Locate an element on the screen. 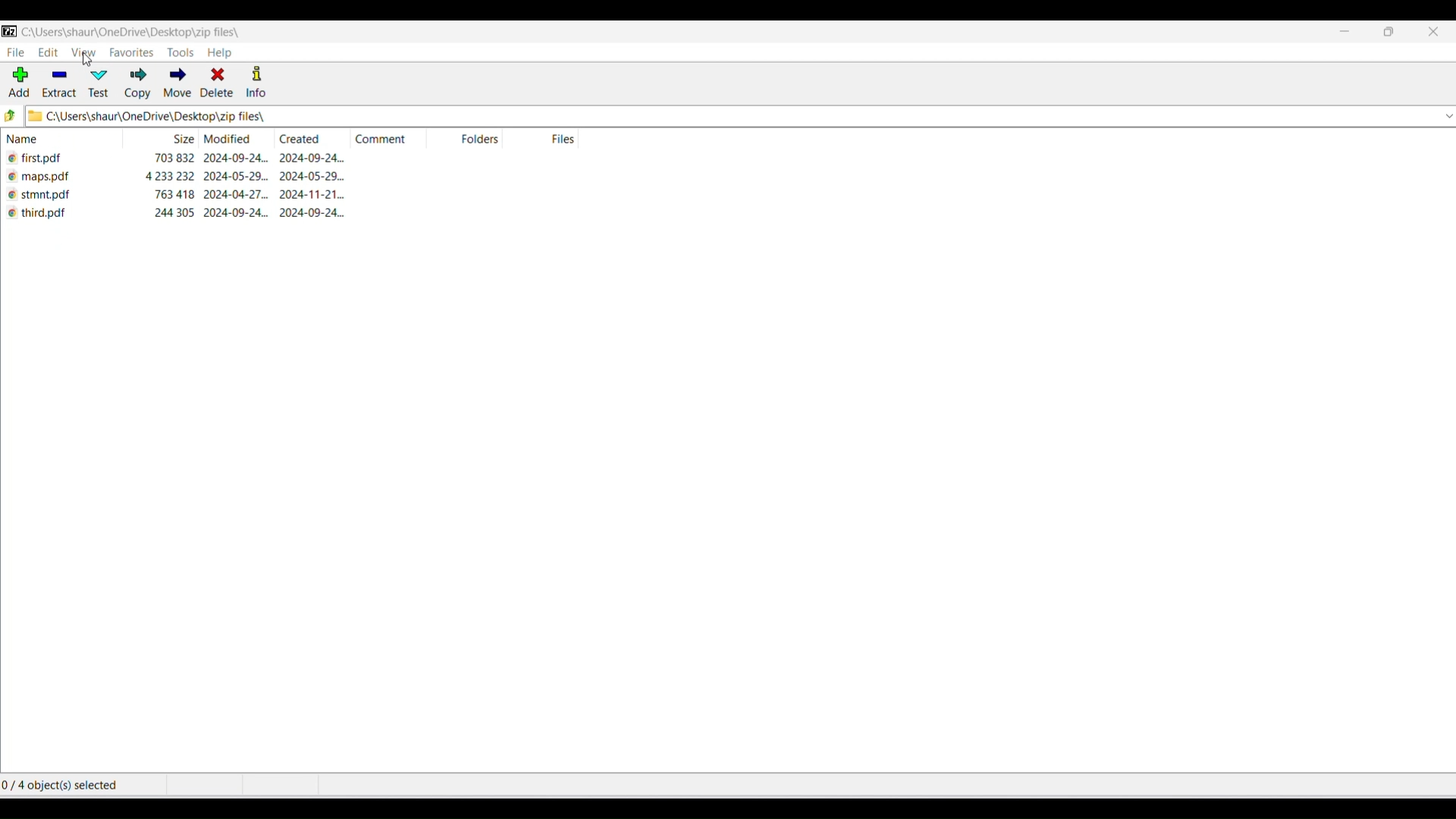  comments is located at coordinates (380, 140).